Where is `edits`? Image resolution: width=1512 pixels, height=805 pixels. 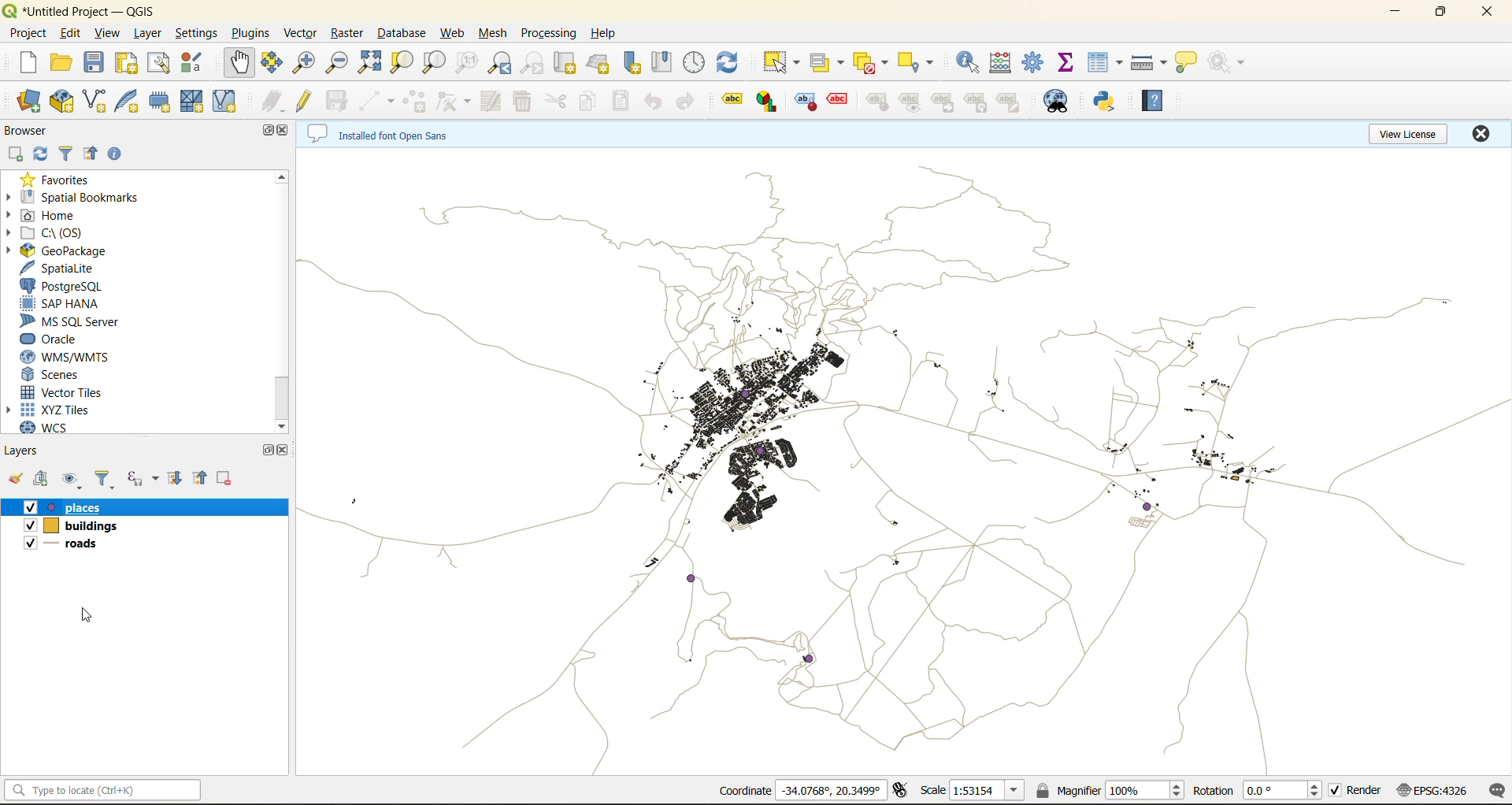 edits is located at coordinates (272, 103).